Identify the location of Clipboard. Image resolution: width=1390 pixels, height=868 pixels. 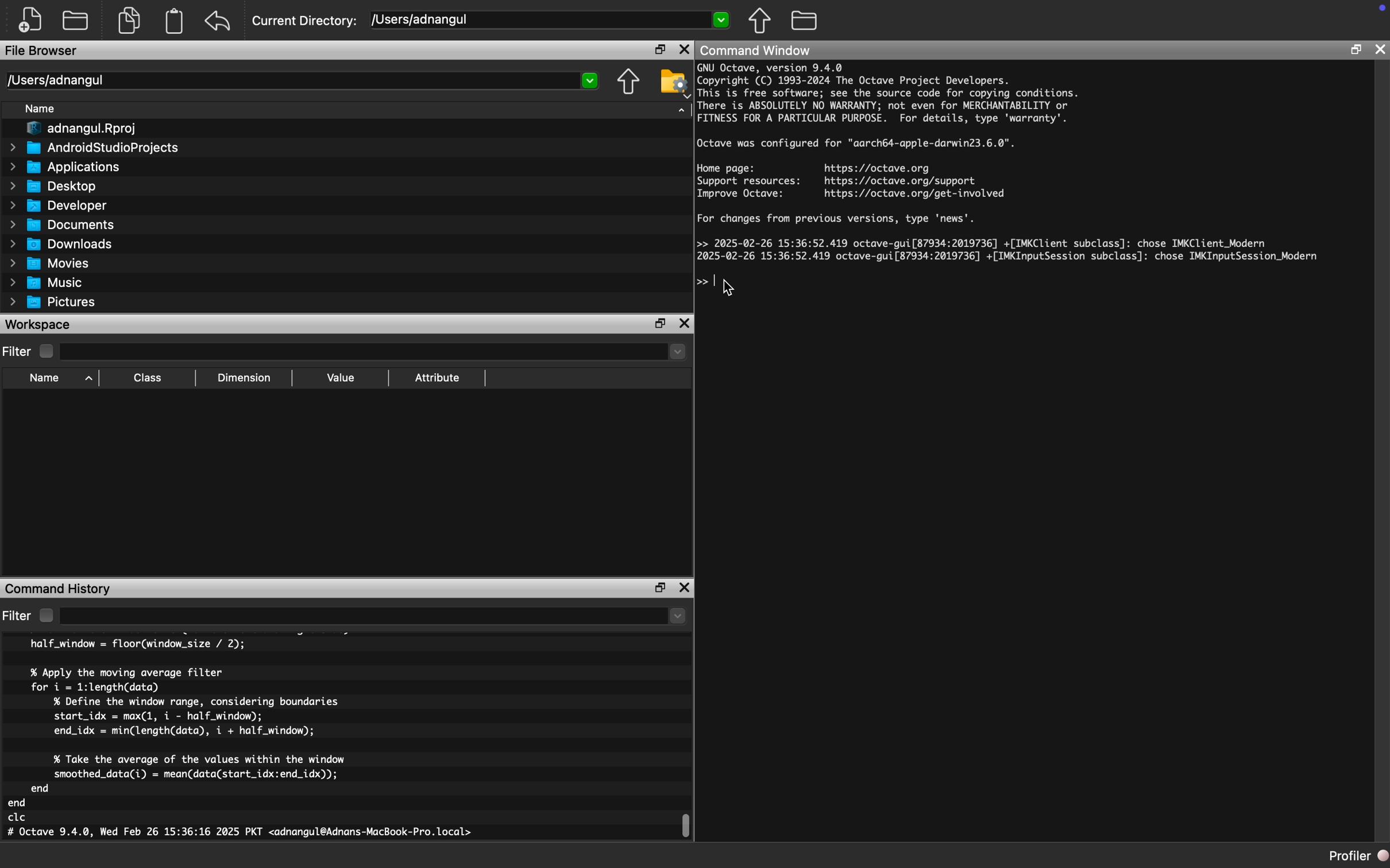
(176, 21).